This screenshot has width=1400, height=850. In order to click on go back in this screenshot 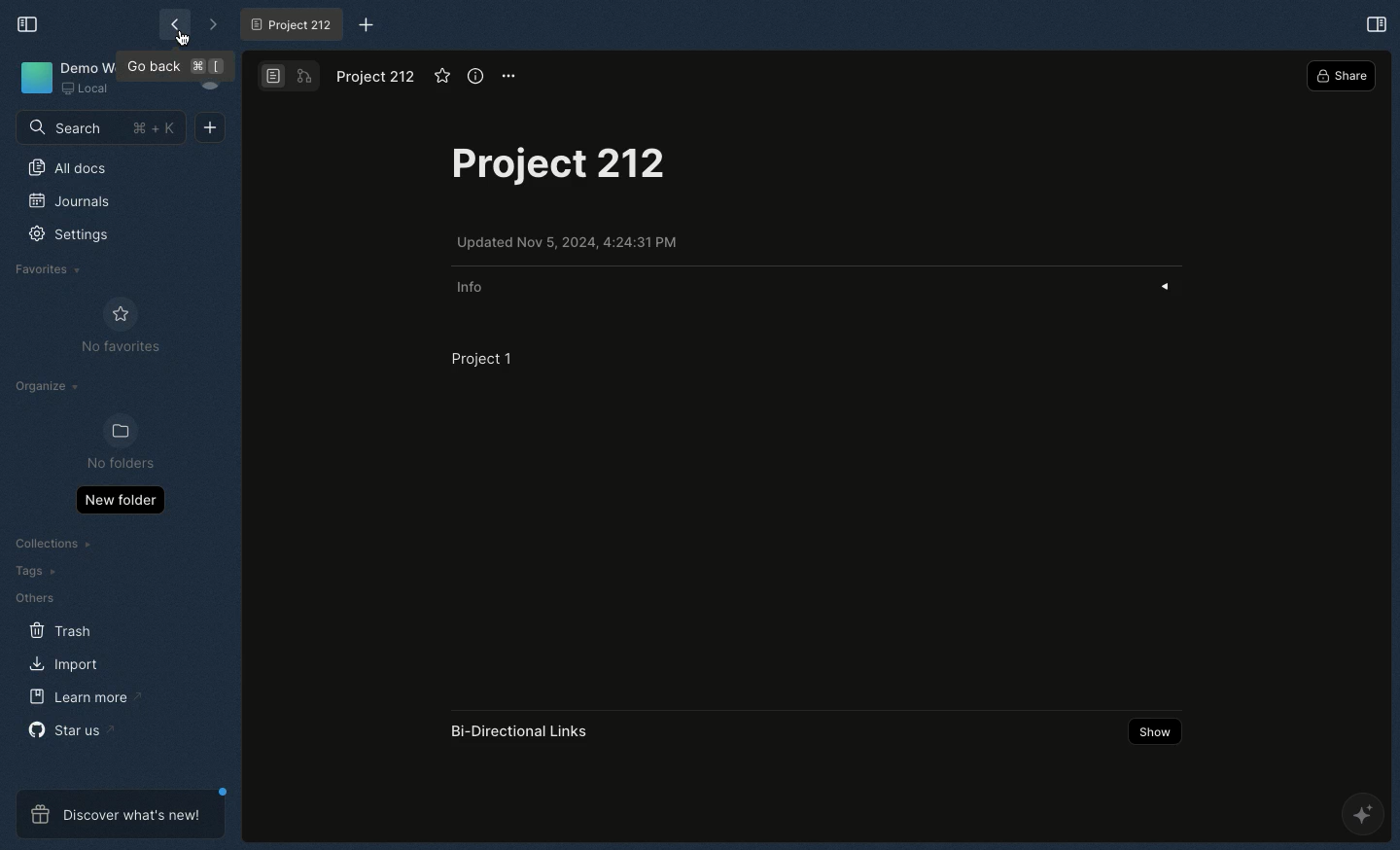, I will do `click(177, 69)`.